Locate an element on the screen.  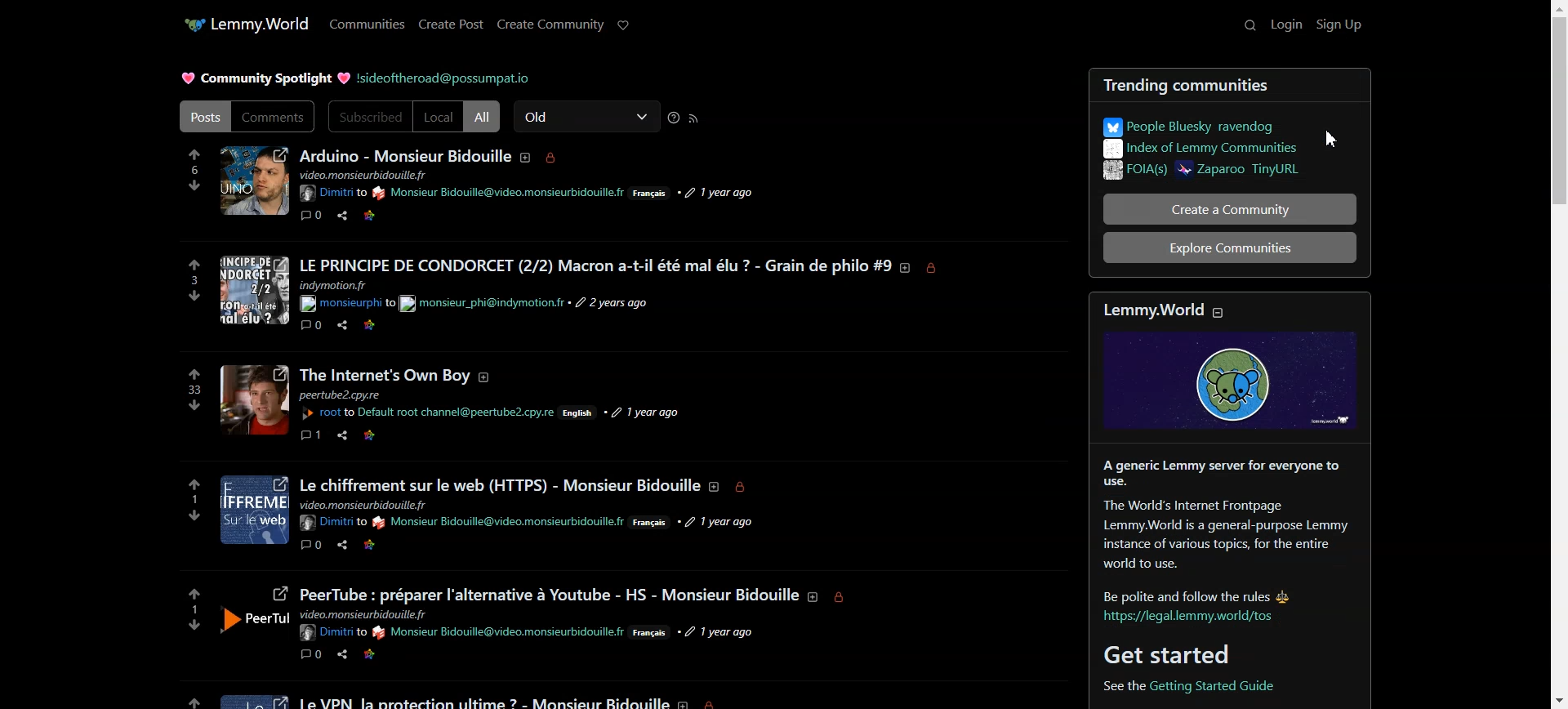
hyperlink is located at coordinates (1229, 685).